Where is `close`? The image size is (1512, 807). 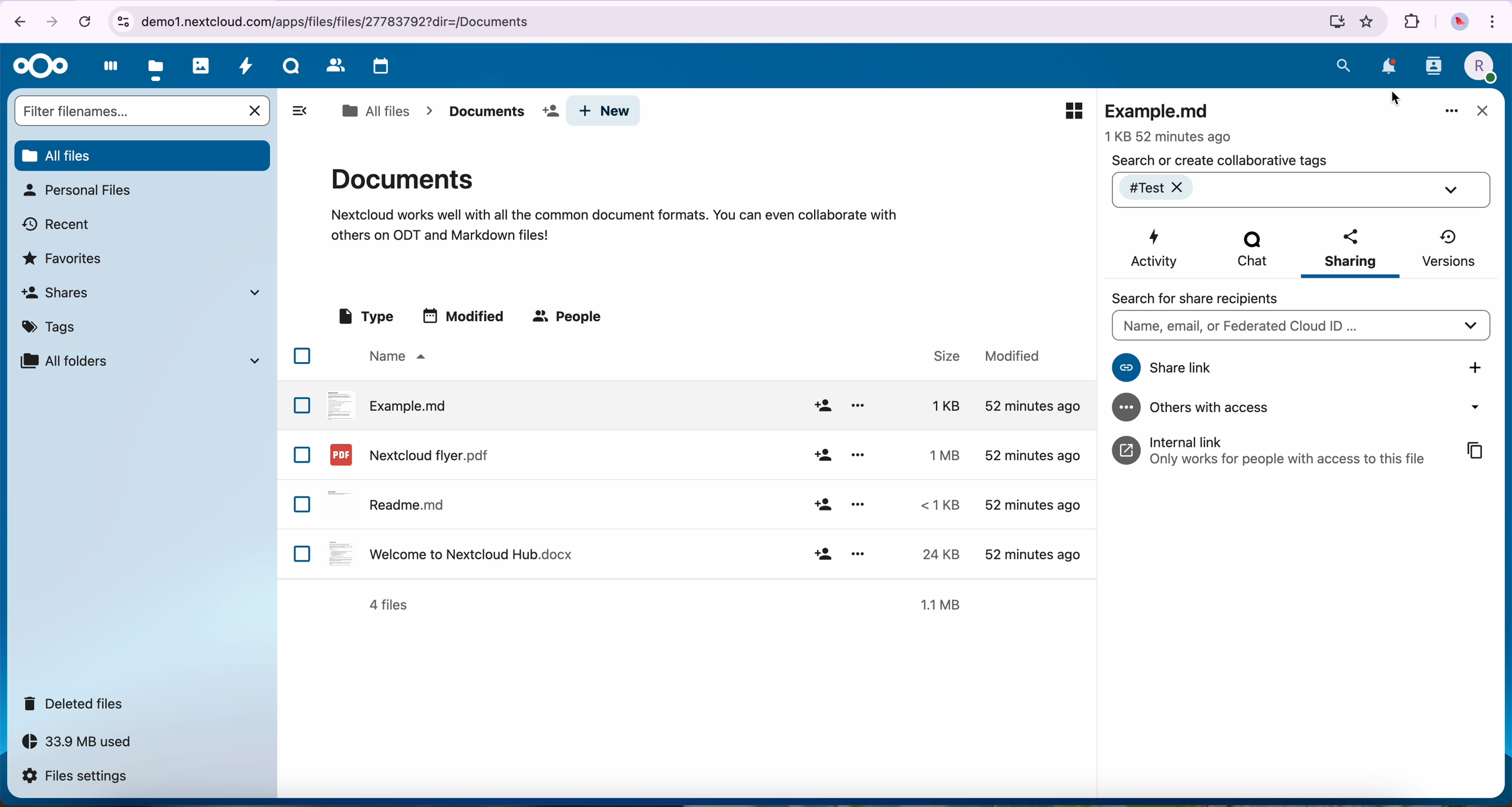 close is located at coordinates (1481, 112).